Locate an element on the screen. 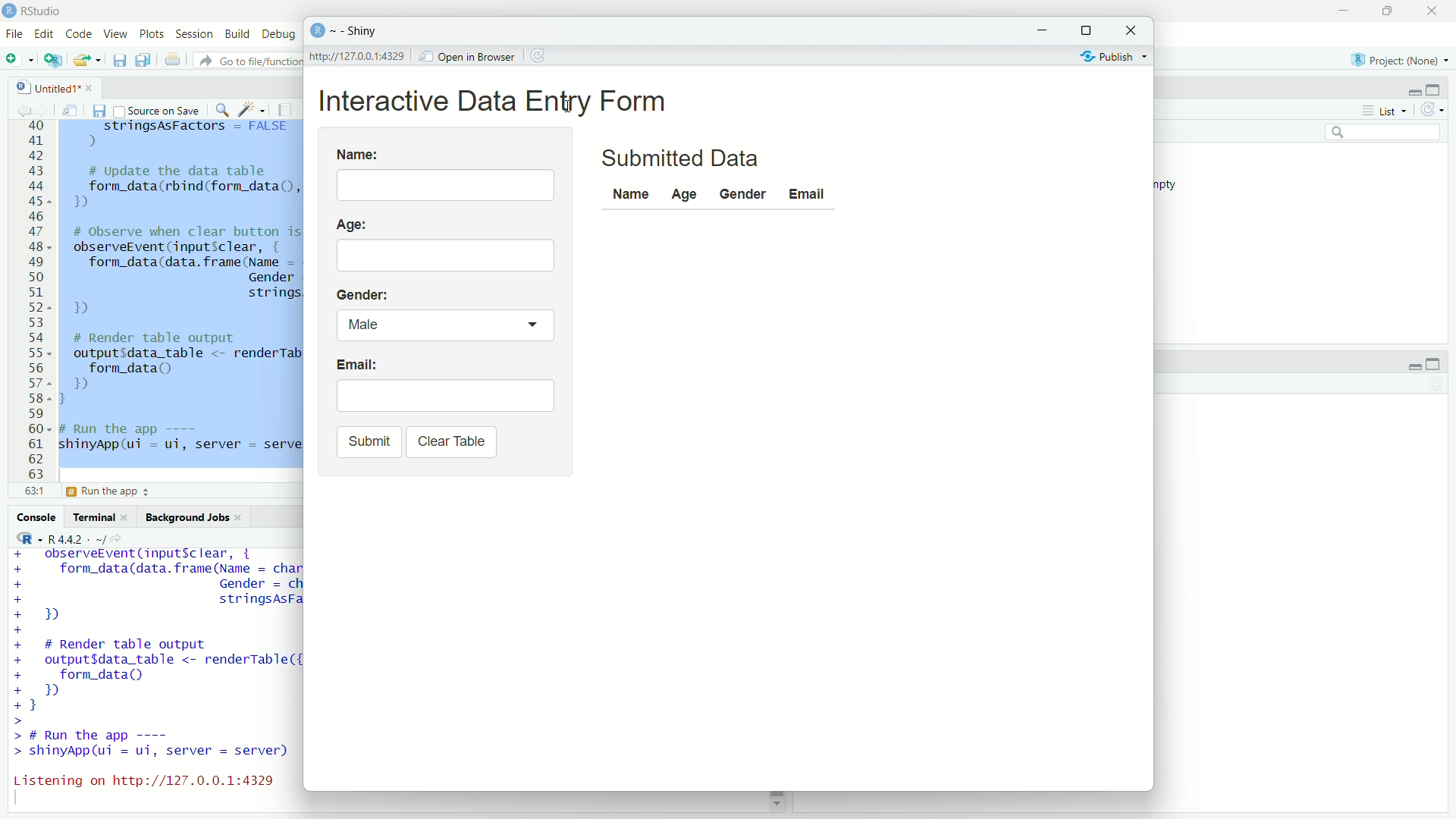 The height and width of the screenshot is (819, 1456). code to render table output is located at coordinates (152, 682).